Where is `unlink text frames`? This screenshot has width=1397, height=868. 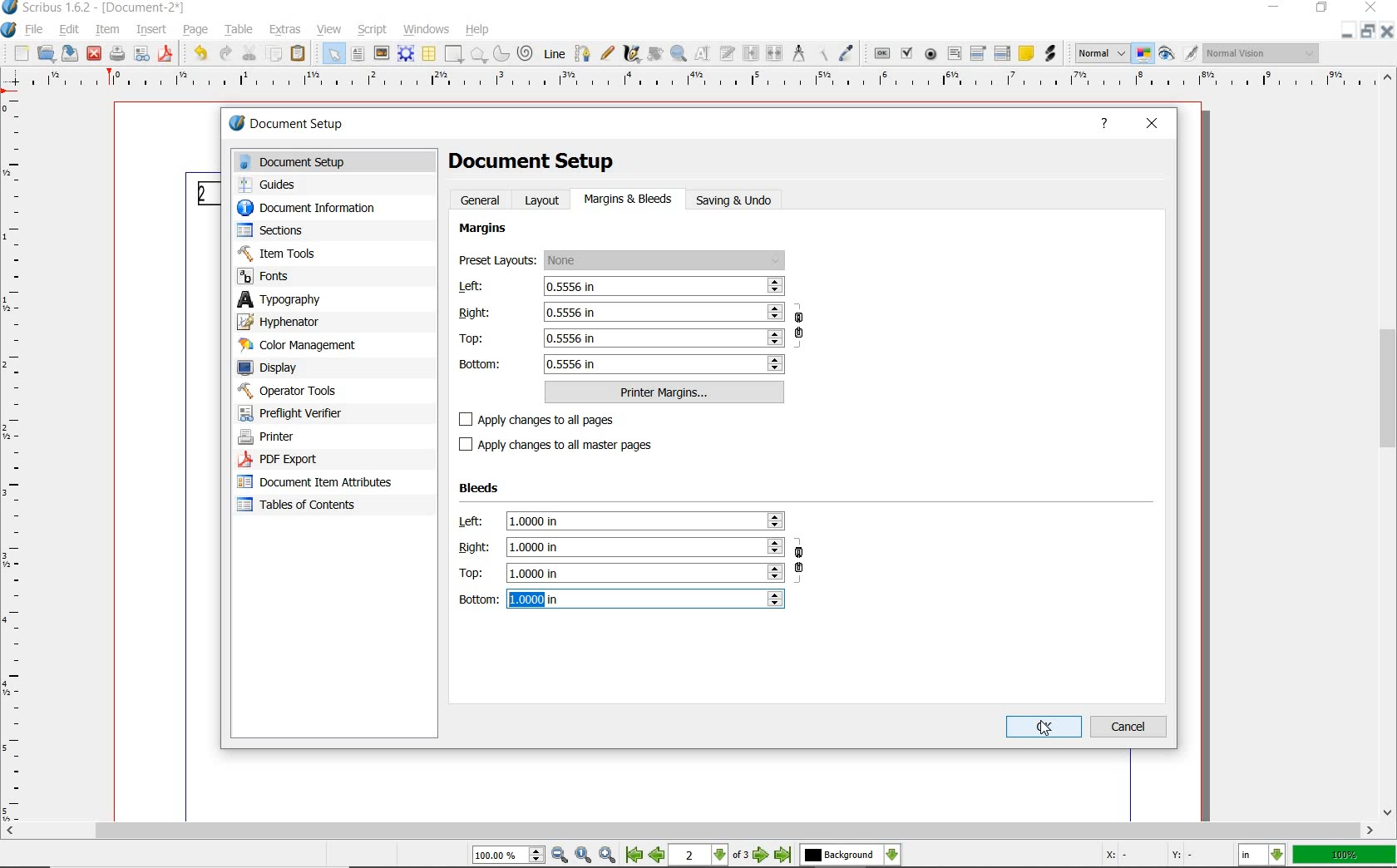
unlink text frames is located at coordinates (774, 53).